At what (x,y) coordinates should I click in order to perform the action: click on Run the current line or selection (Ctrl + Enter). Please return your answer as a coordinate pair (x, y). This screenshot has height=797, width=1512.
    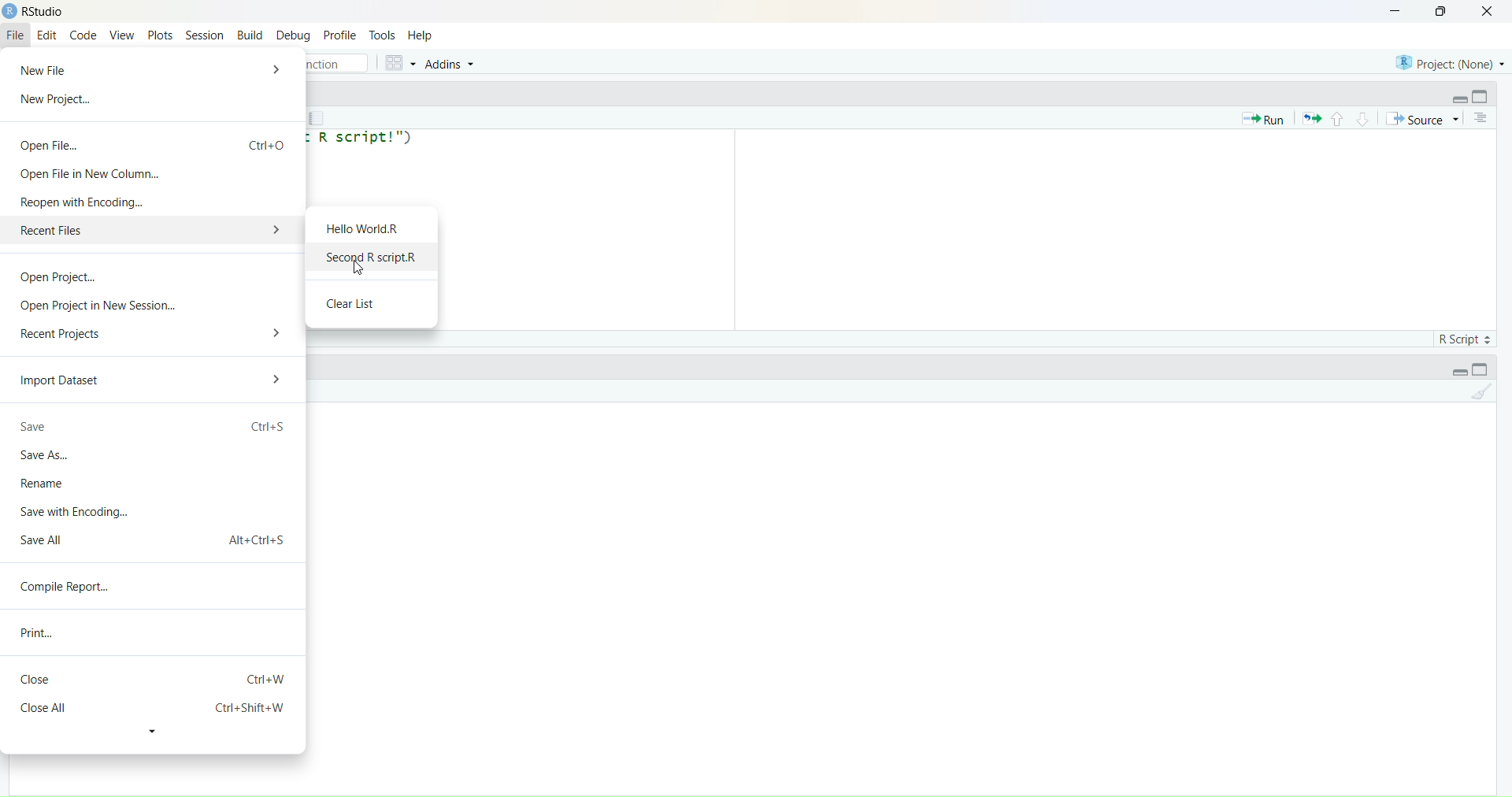
    Looking at the image, I should click on (1262, 118).